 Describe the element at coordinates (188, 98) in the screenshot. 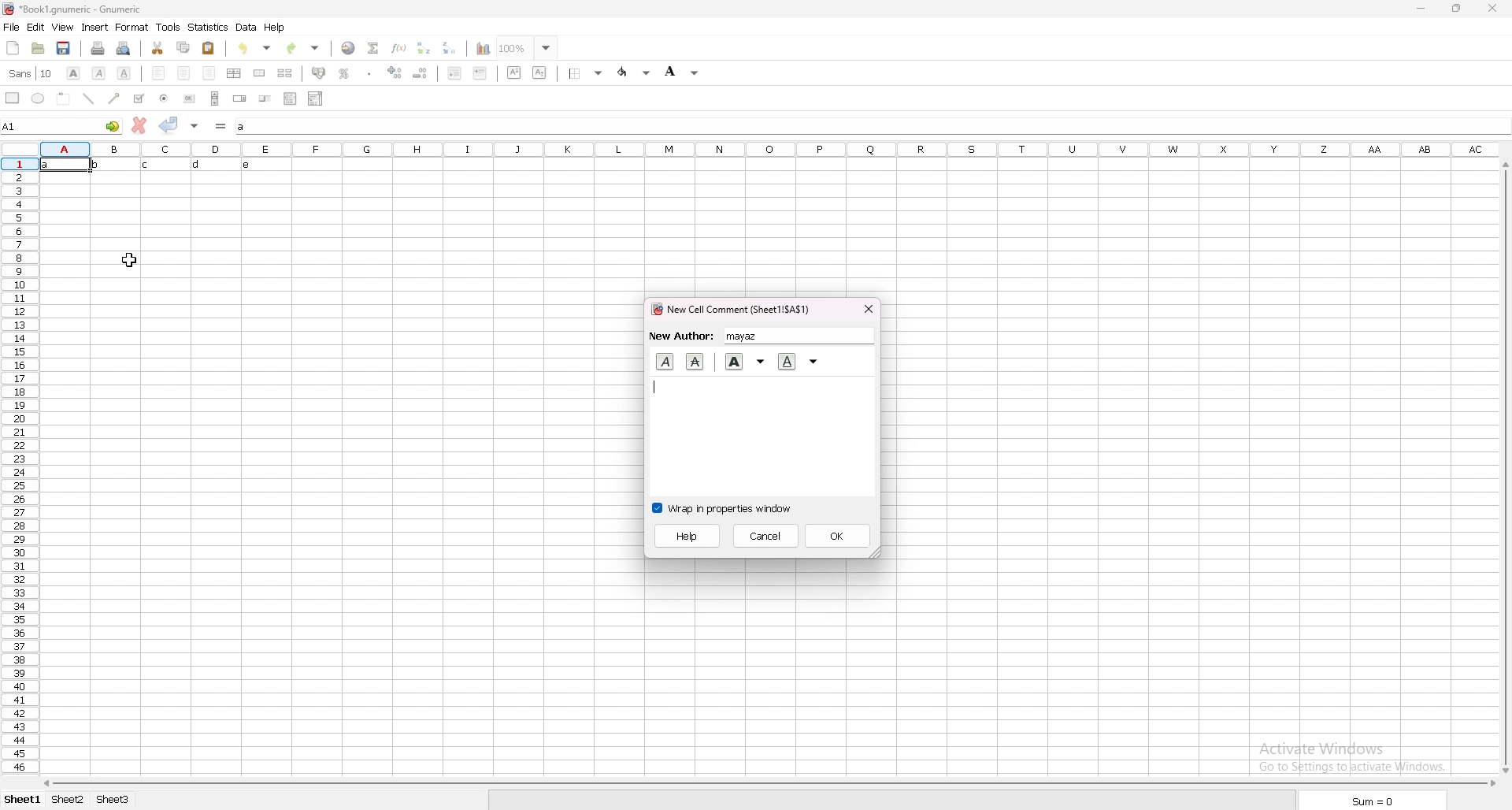

I see `button` at that location.